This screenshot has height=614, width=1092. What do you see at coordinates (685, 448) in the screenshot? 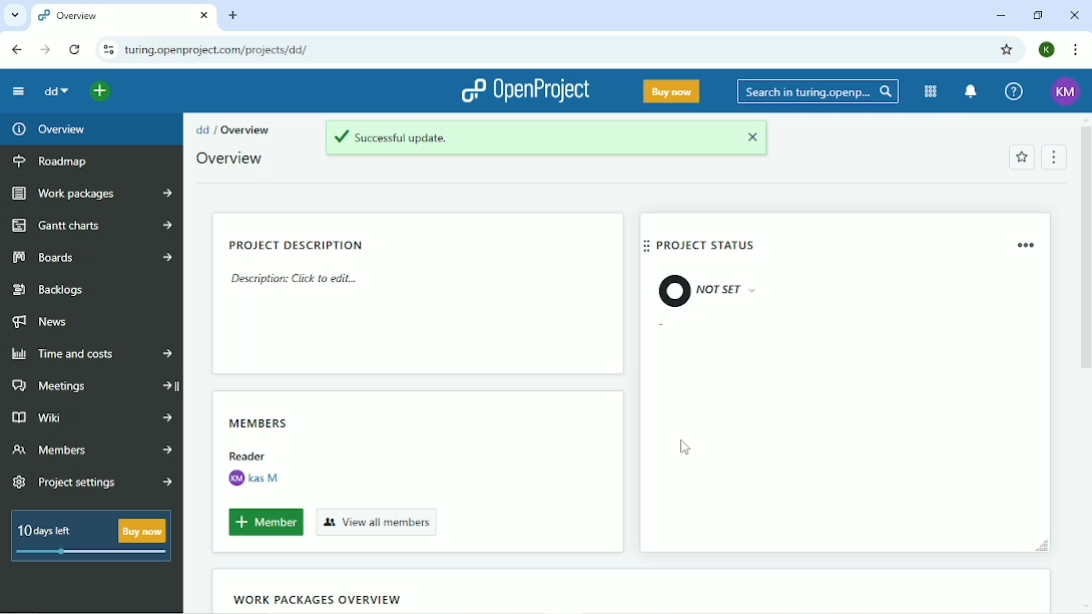
I see `Cursor` at bounding box center [685, 448].